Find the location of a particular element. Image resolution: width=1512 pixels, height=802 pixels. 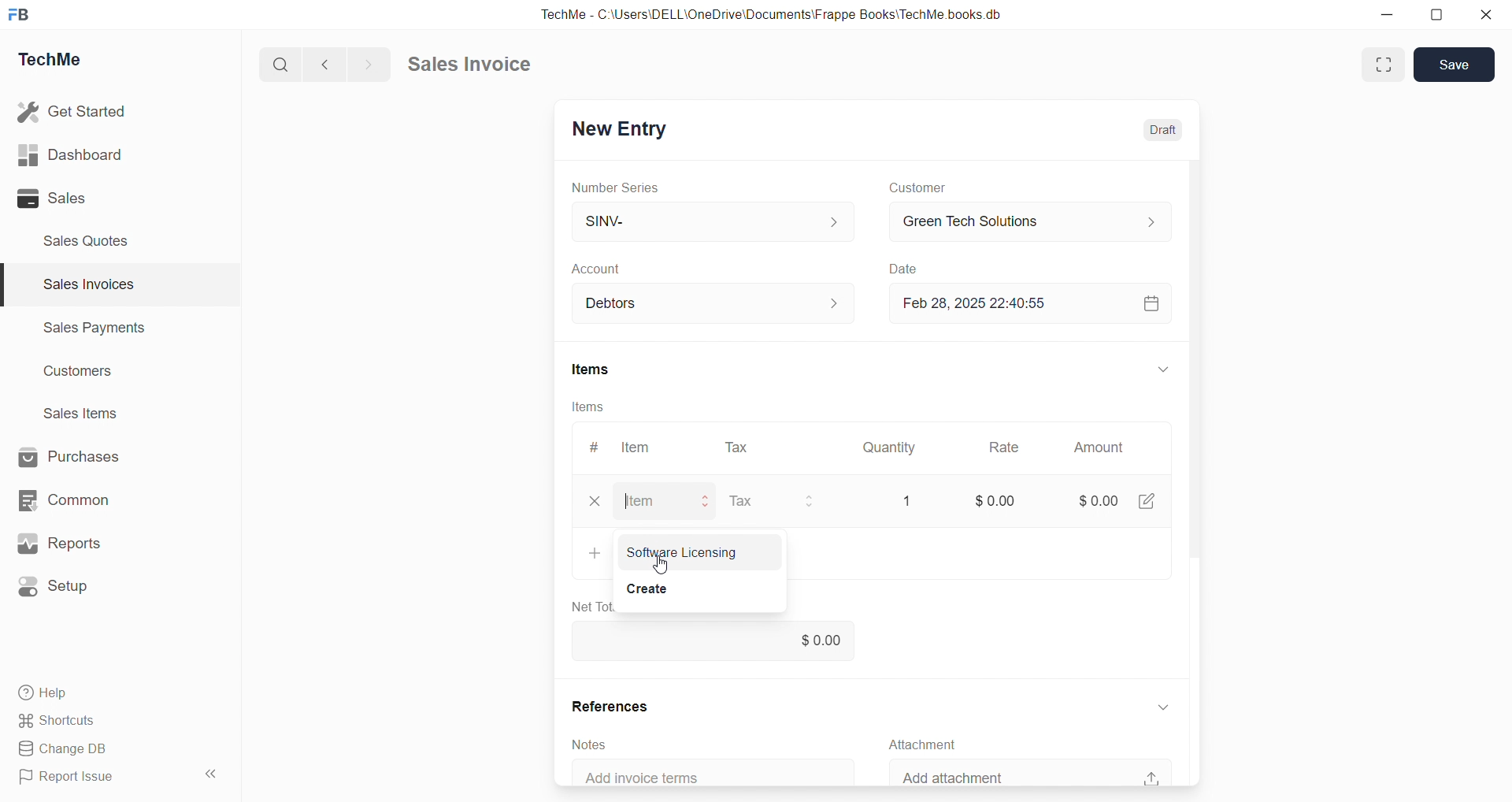

back is located at coordinates (321, 64).